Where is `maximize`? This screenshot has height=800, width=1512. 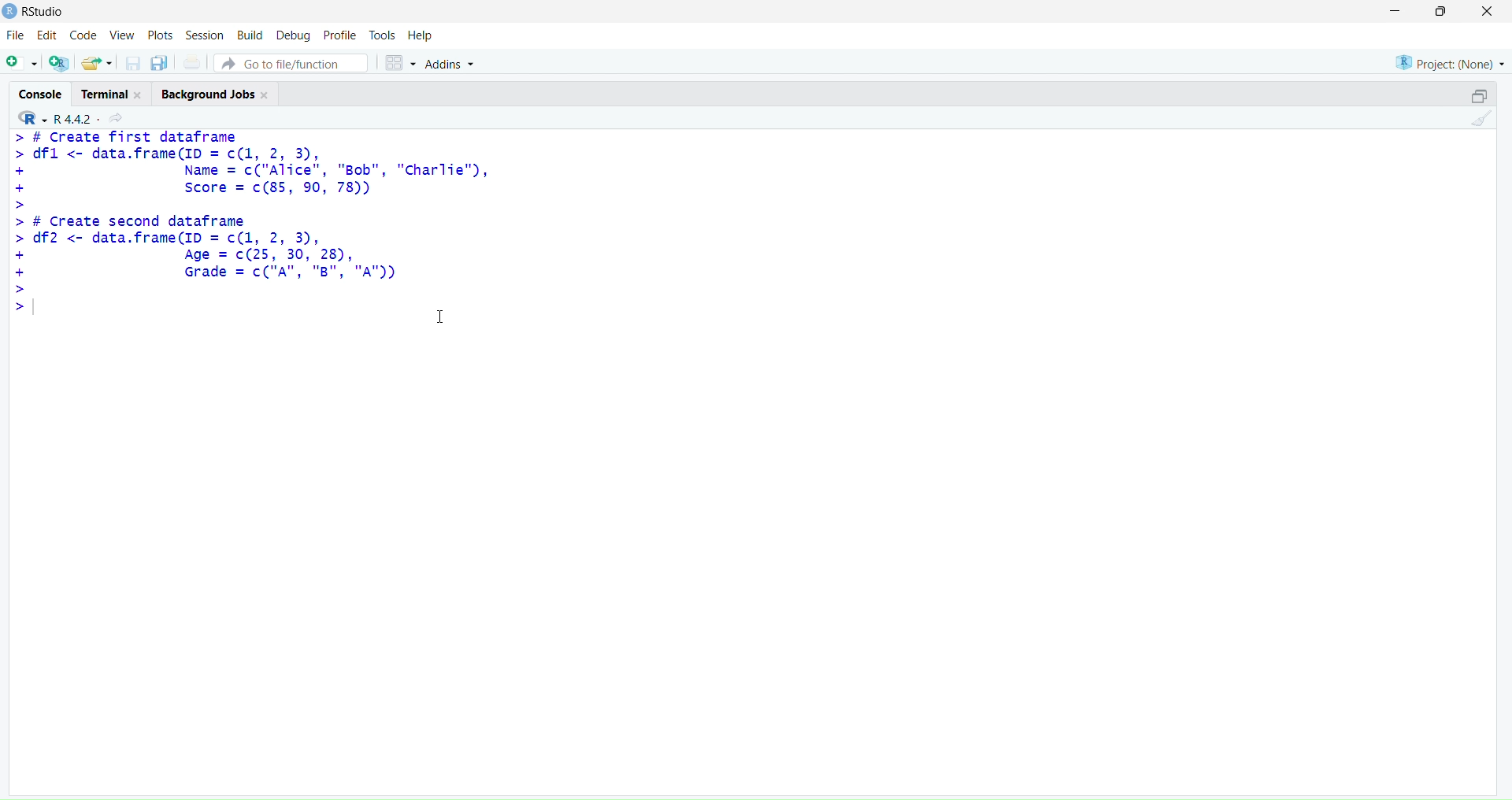 maximize is located at coordinates (1479, 94).